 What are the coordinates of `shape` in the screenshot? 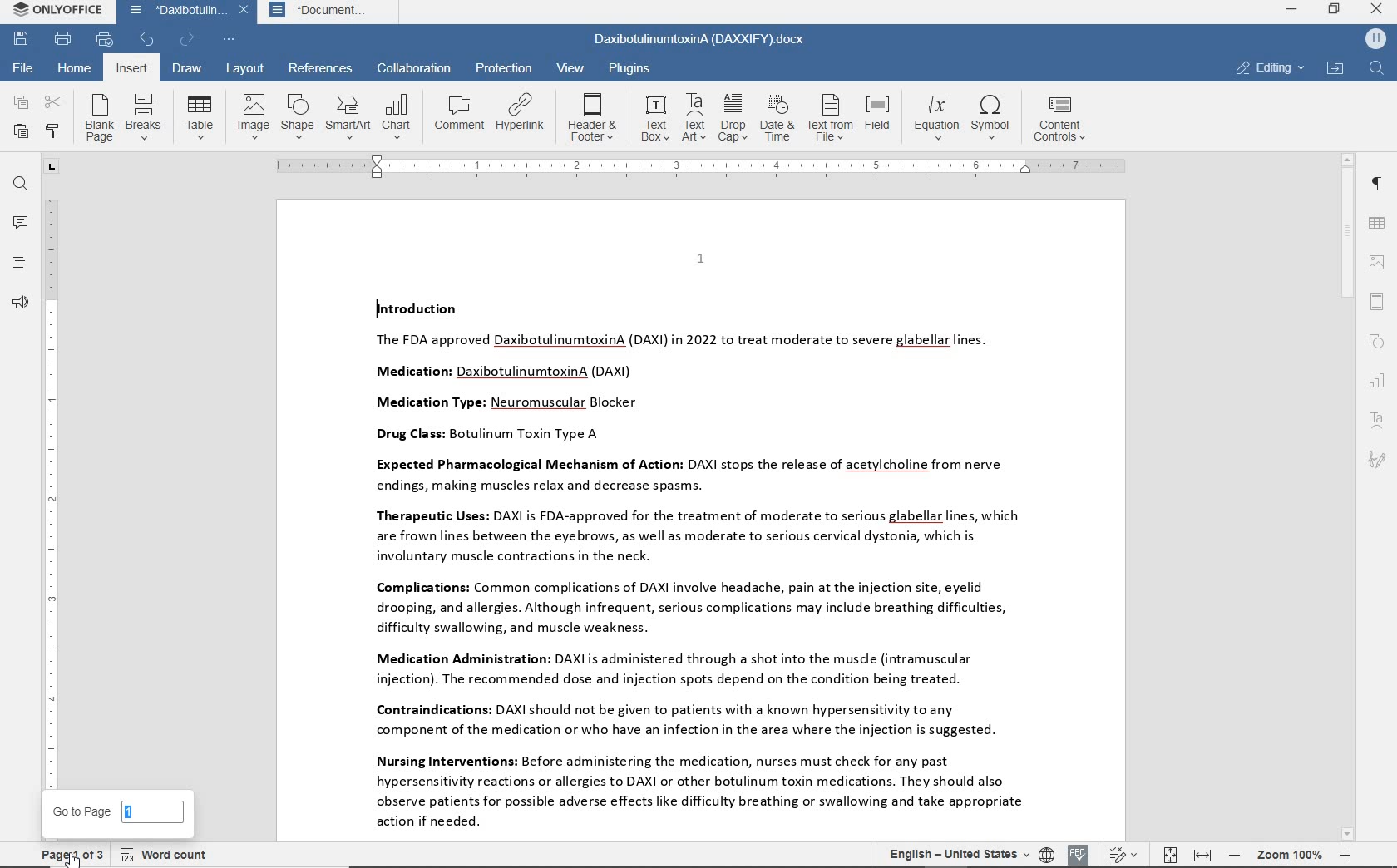 It's located at (1377, 343).